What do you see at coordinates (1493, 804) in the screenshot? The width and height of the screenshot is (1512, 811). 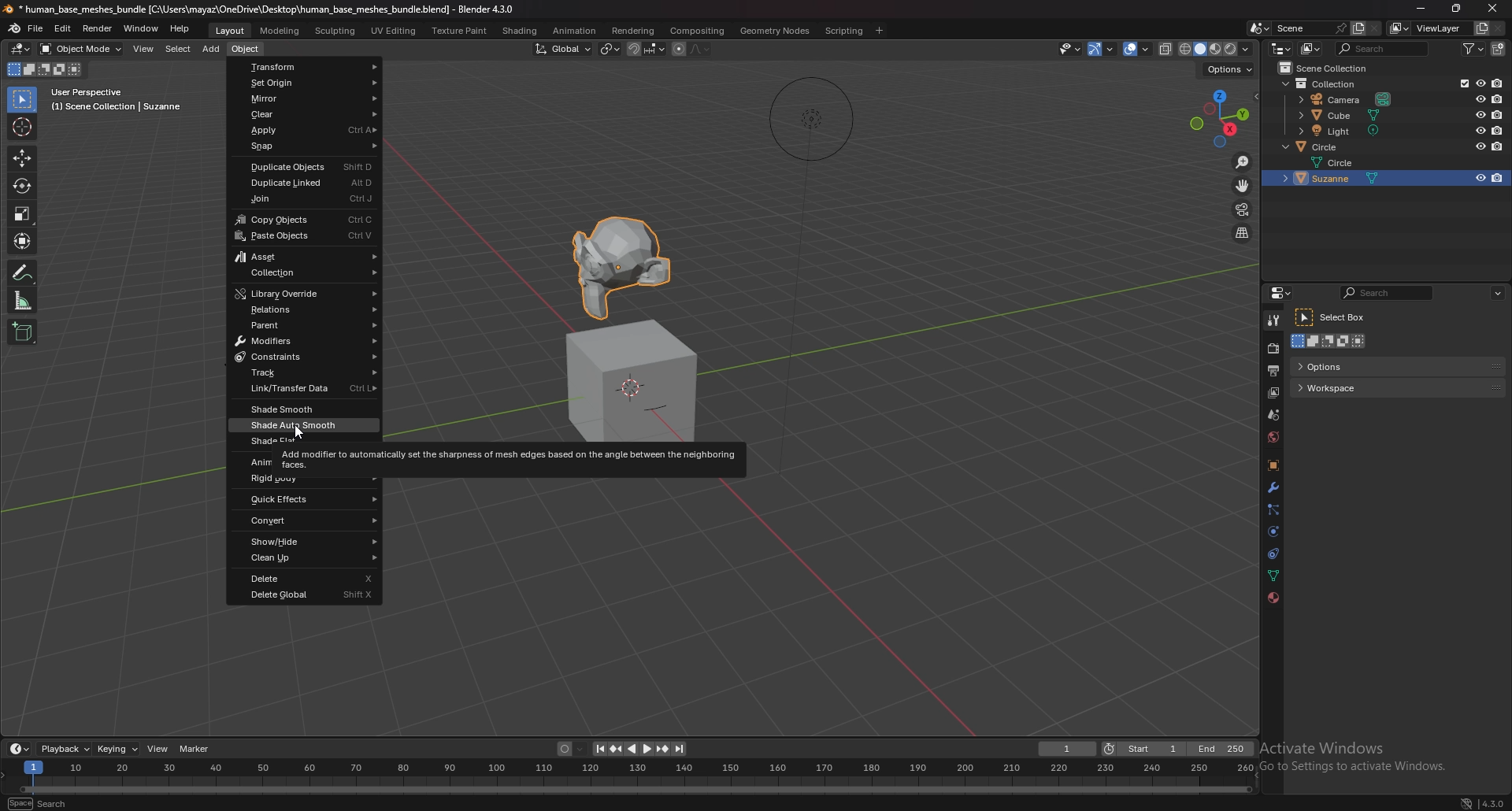 I see `version` at bounding box center [1493, 804].